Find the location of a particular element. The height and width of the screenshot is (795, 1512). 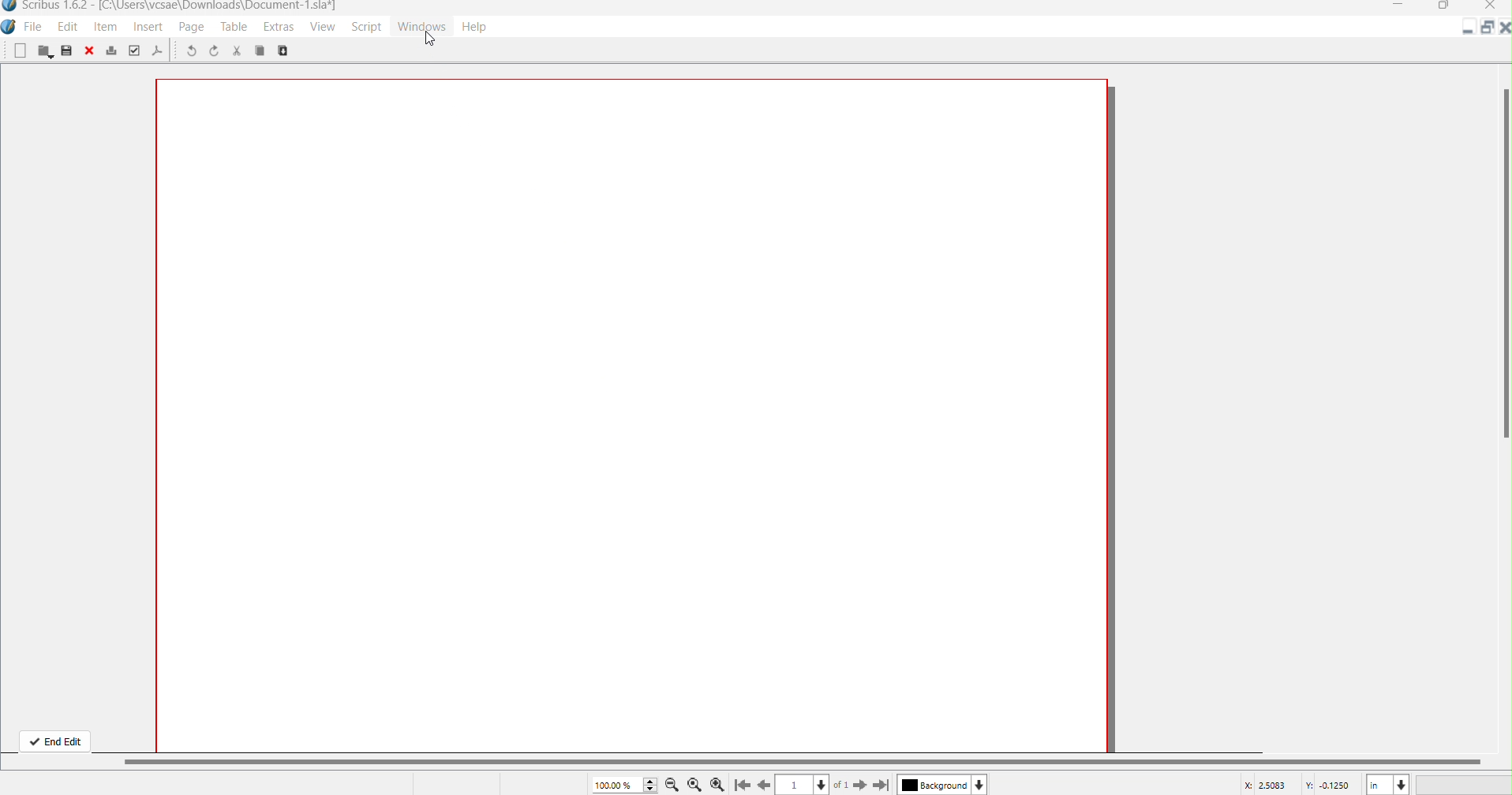

100% is located at coordinates (624, 784).